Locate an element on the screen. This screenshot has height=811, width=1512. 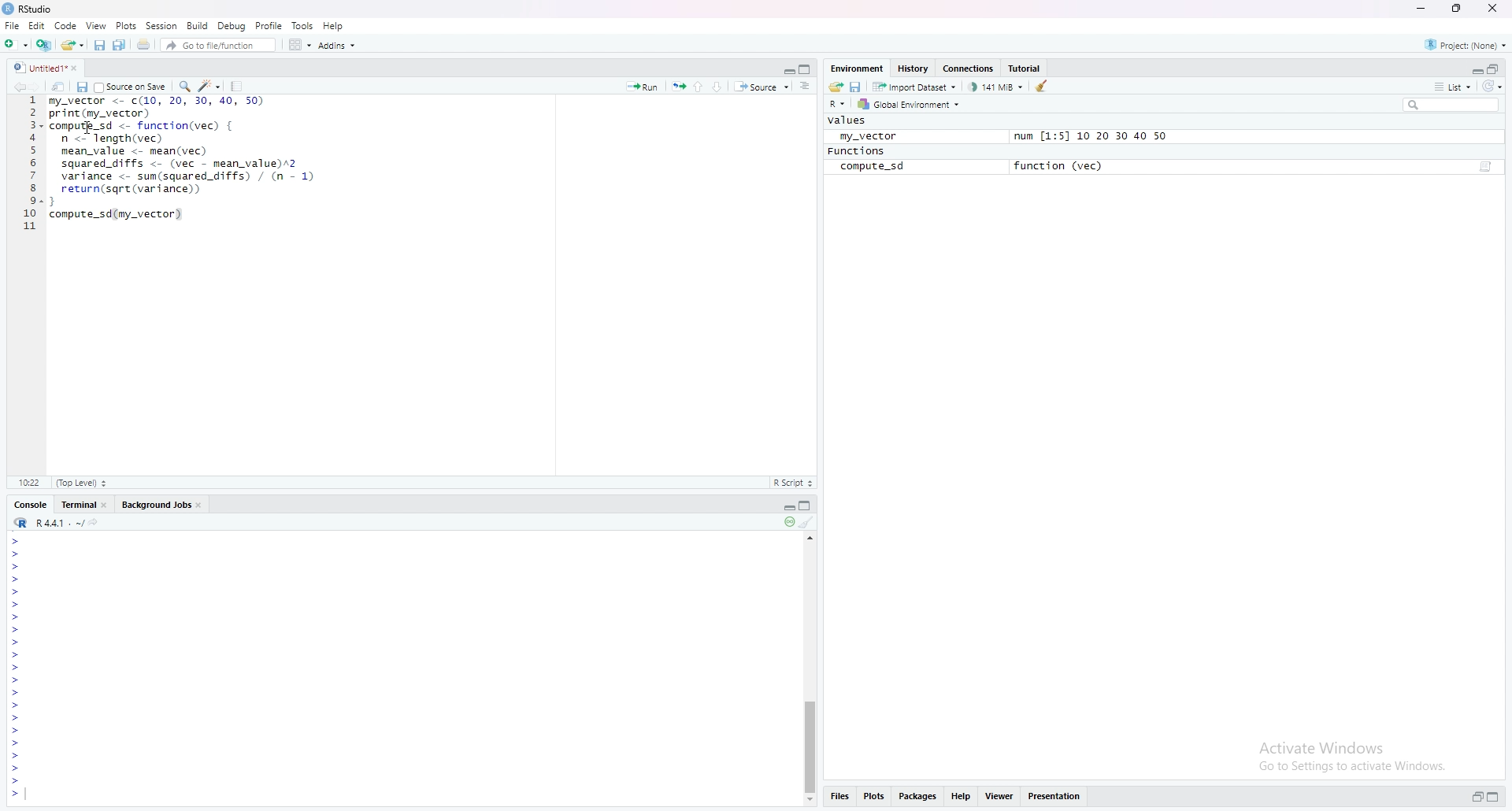
Find and replace is located at coordinates (183, 86).